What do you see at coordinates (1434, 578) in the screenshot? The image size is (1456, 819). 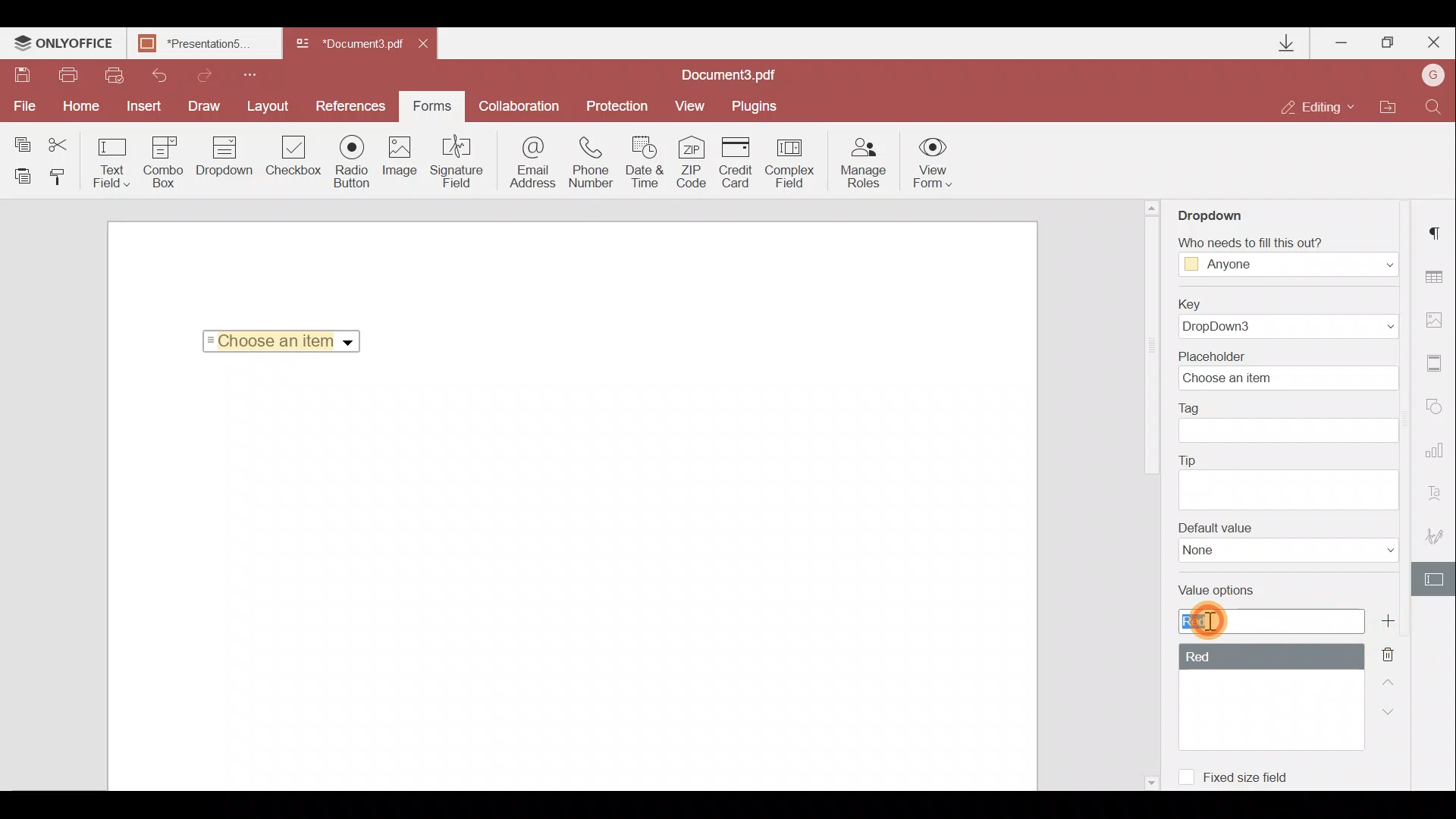 I see `Form settings` at bounding box center [1434, 578].